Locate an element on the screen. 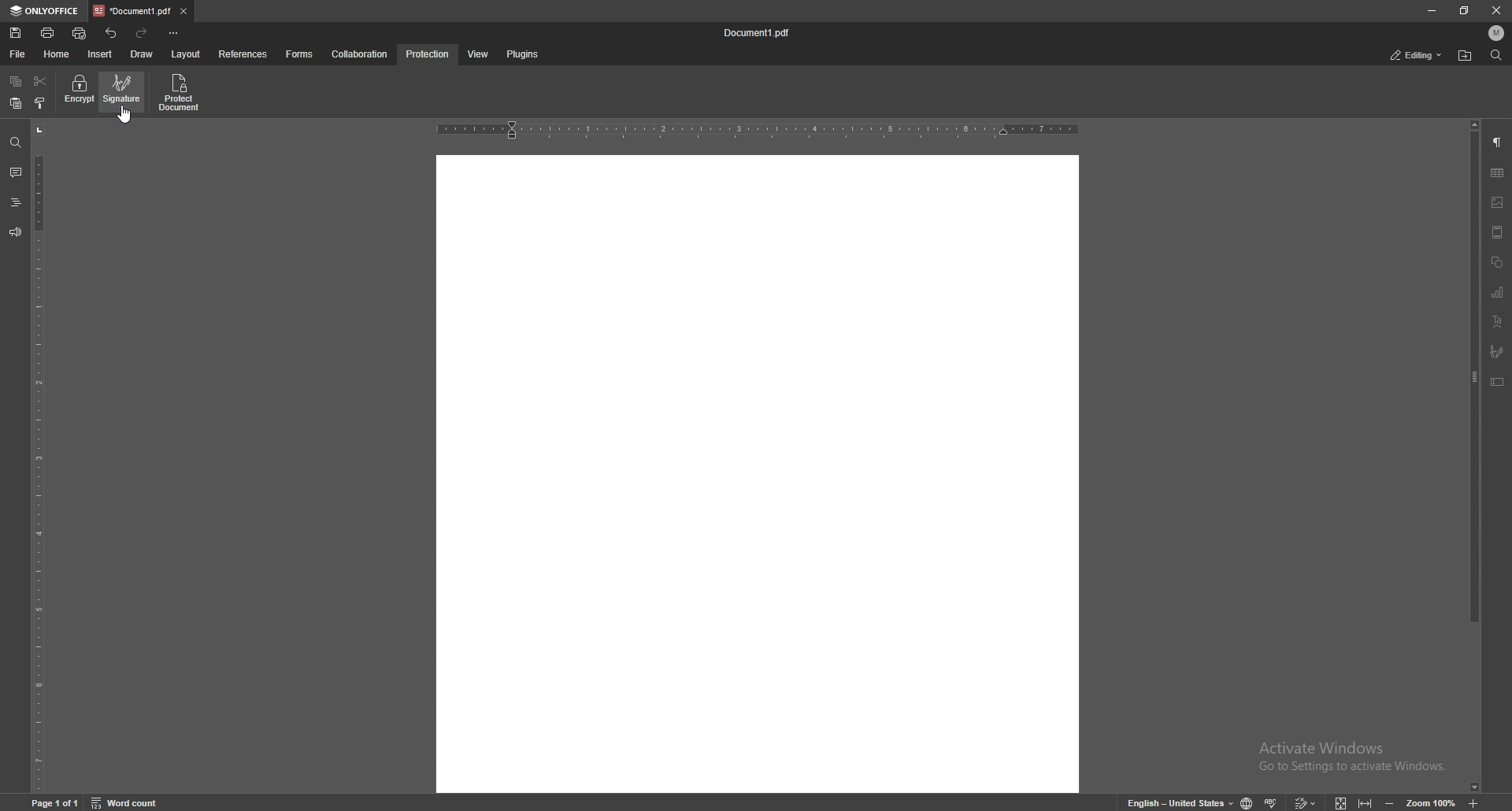  document is located at coordinates (758, 472).